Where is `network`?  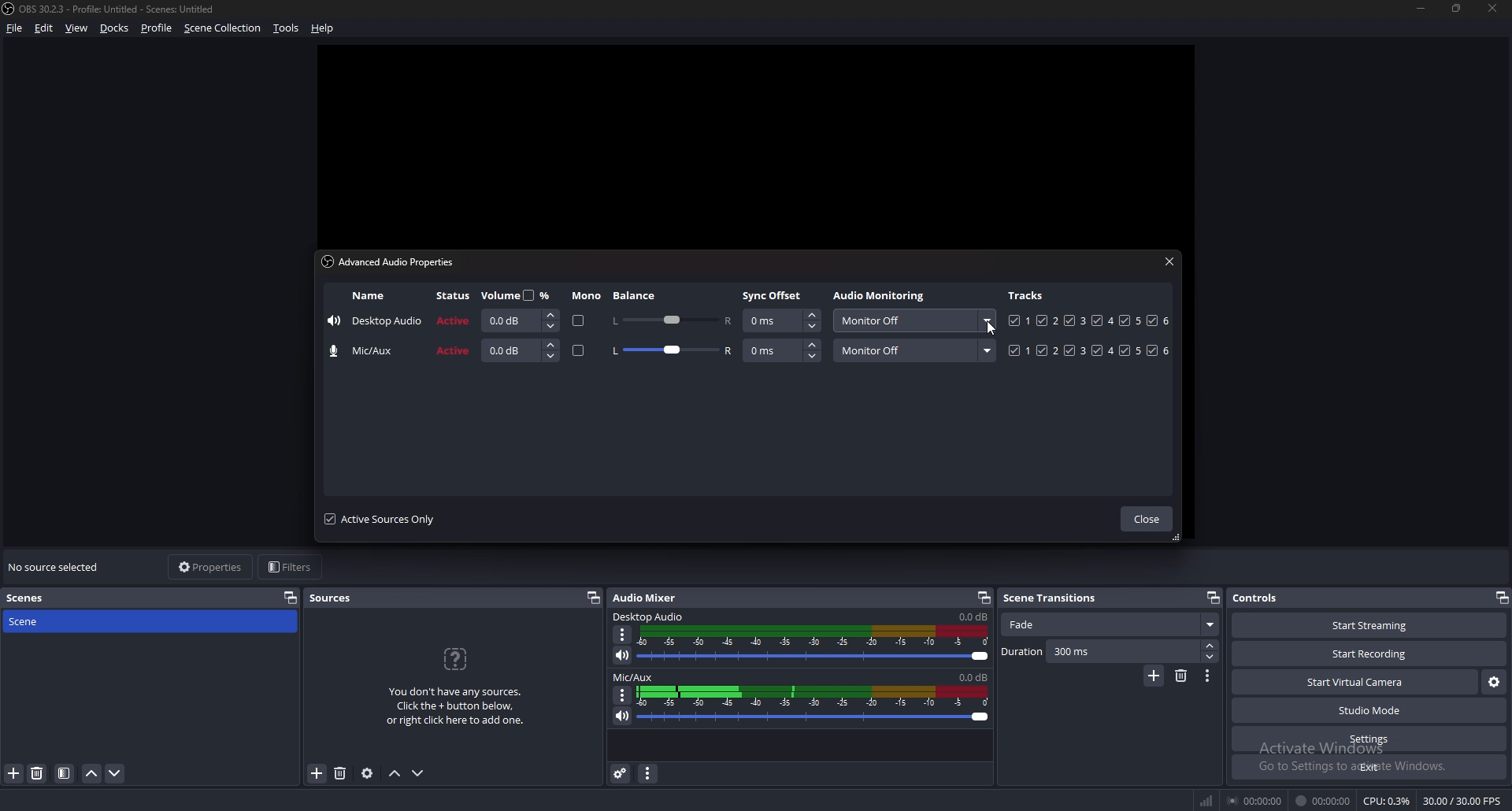
network is located at coordinates (1209, 798).